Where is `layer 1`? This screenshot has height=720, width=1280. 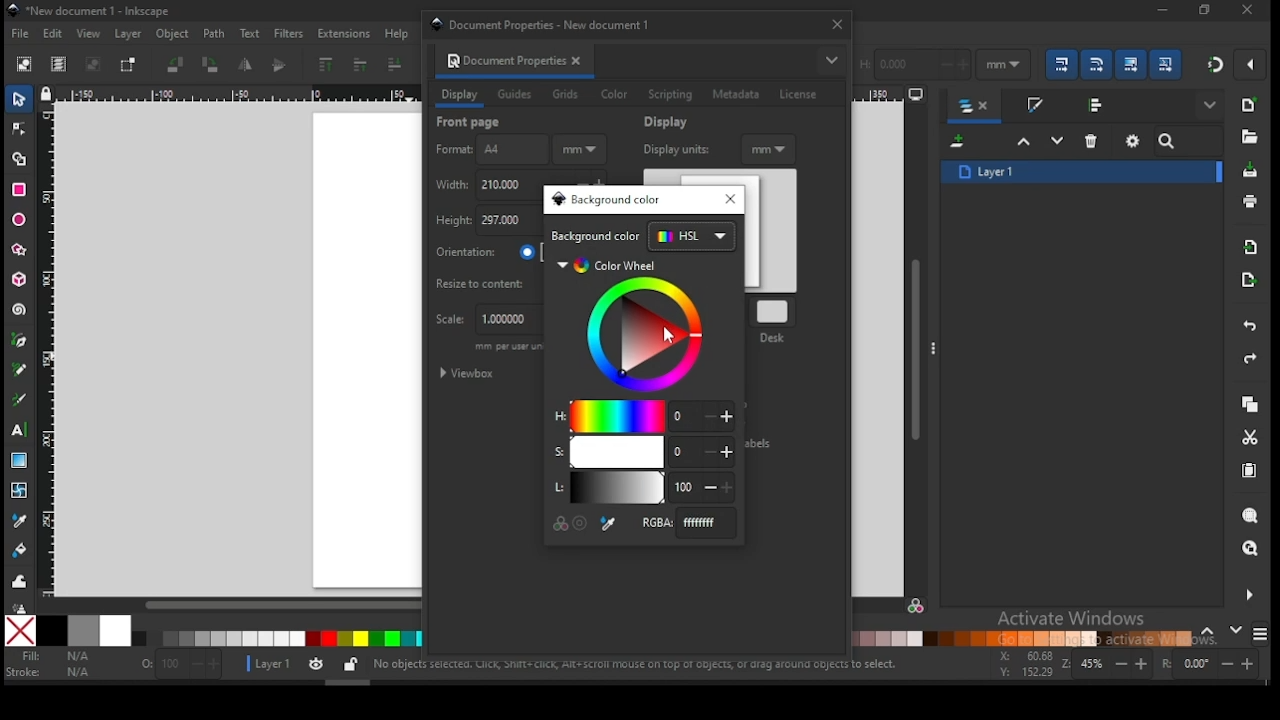 layer 1 is located at coordinates (1082, 171).